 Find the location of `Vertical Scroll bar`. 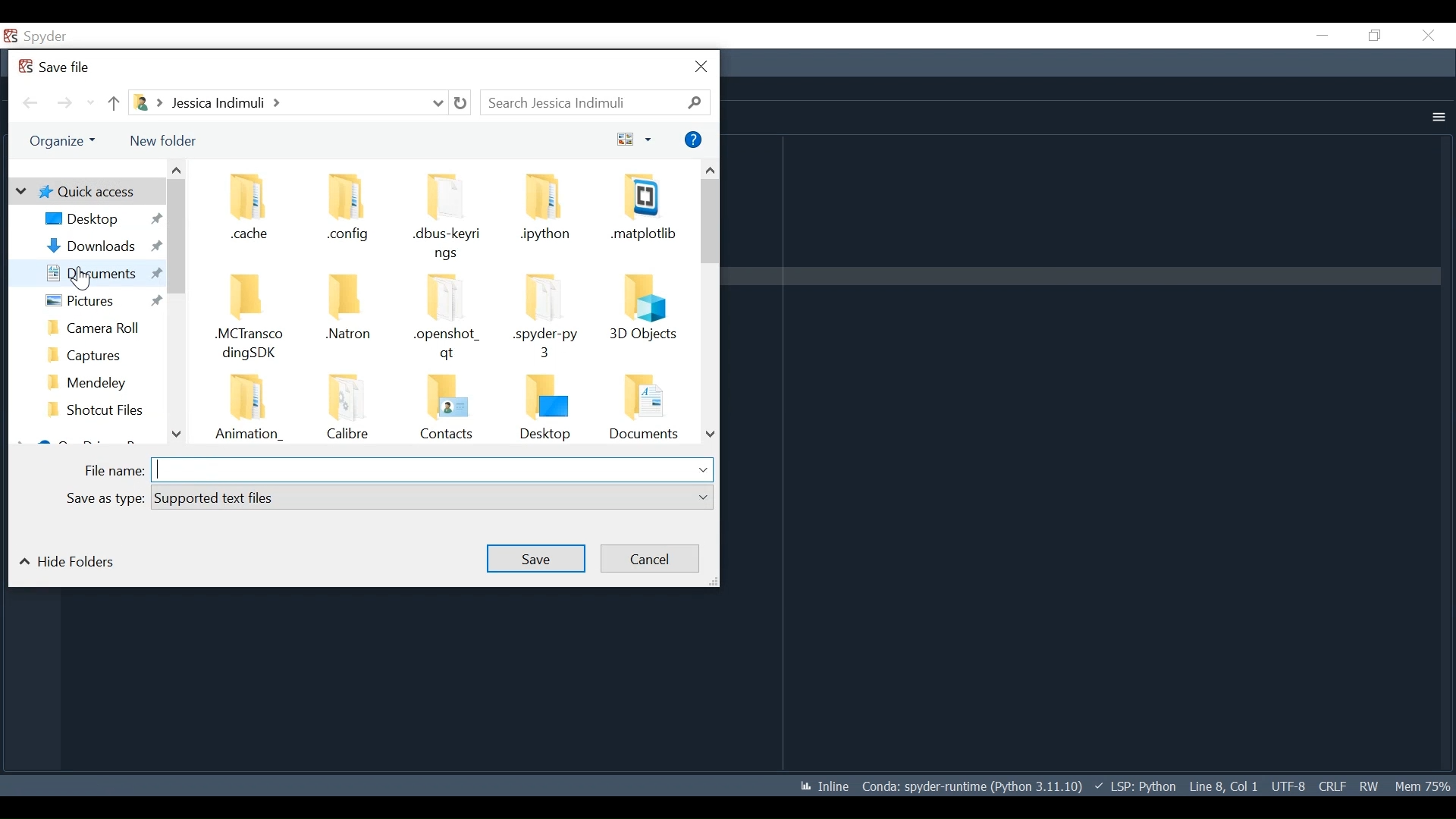

Vertical Scroll bar is located at coordinates (711, 221).